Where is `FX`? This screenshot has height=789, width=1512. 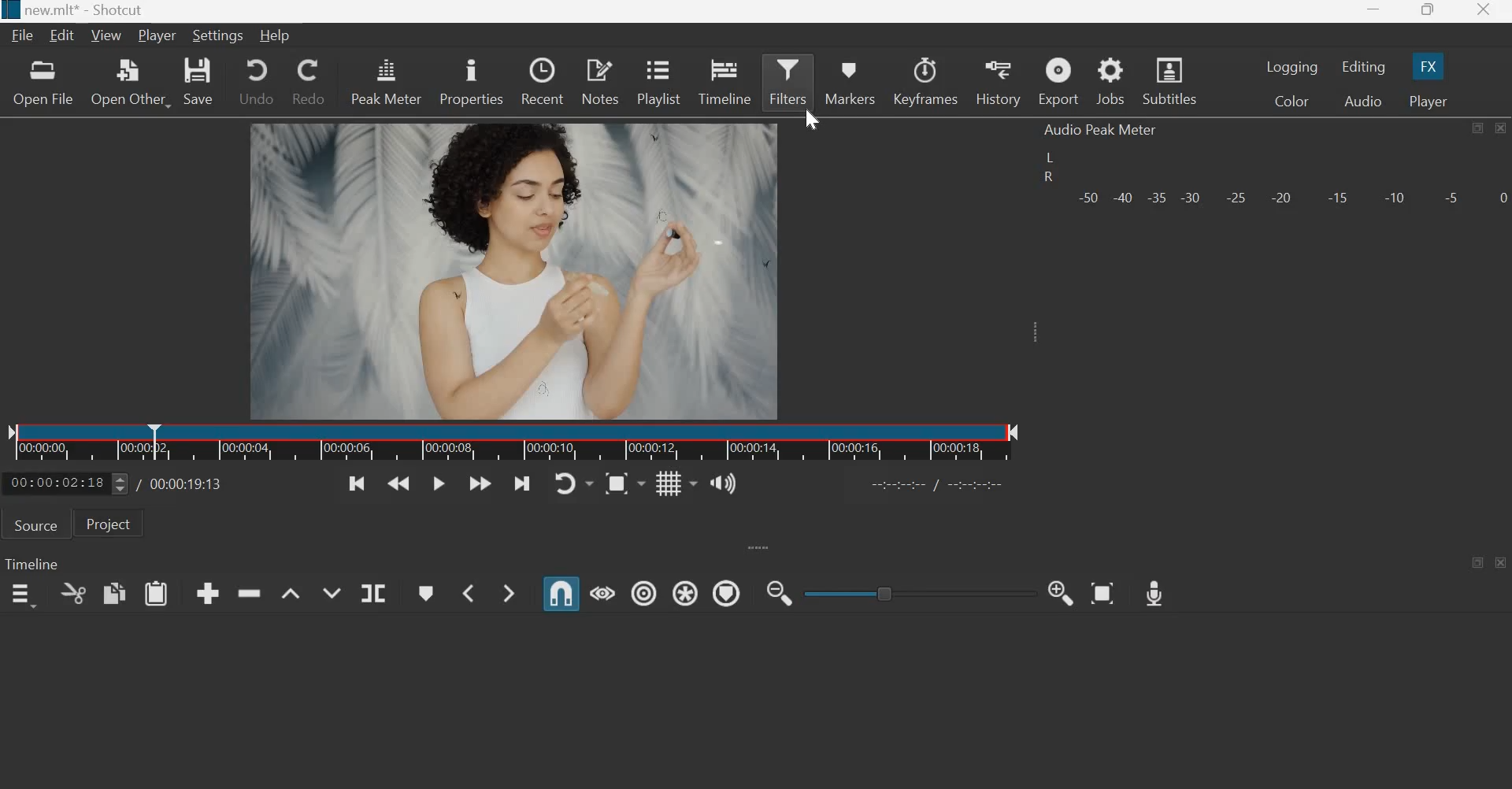
FX is located at coordinates (1429, 66).